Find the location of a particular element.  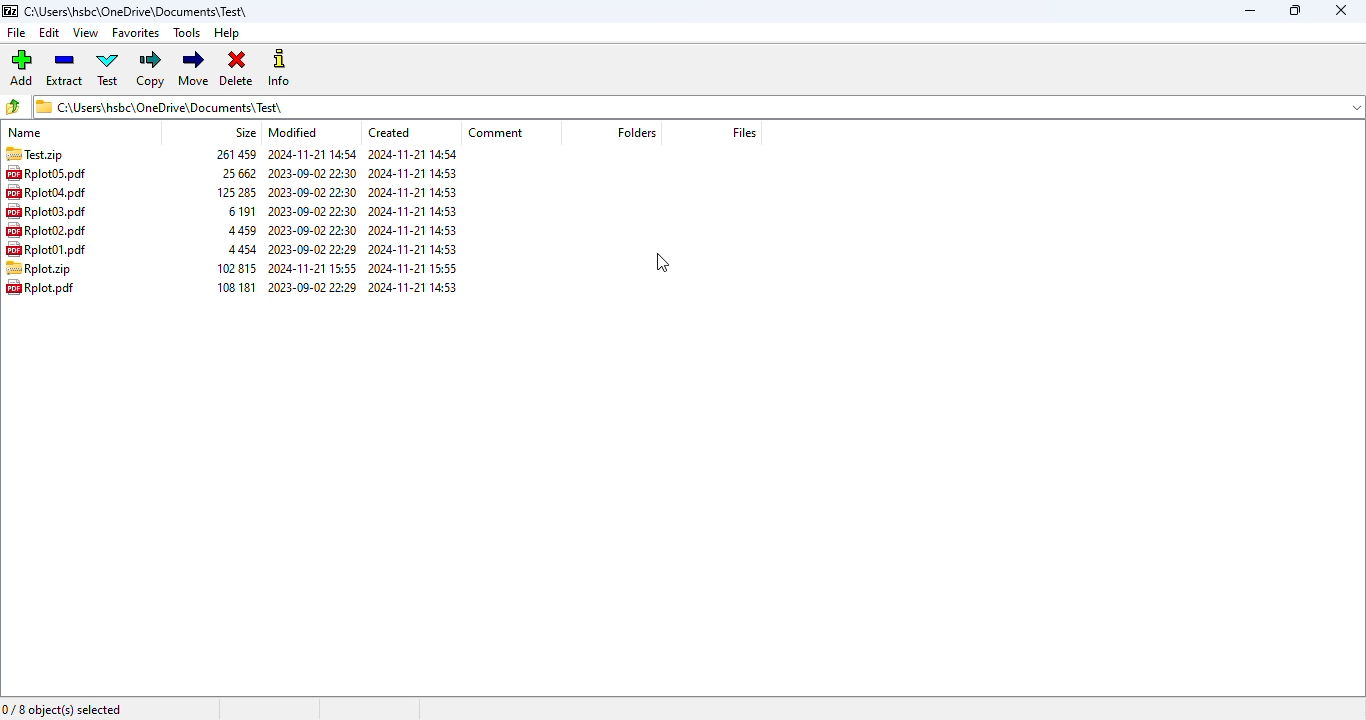

Rplot03.pdf is located at coordinates (48, 212).